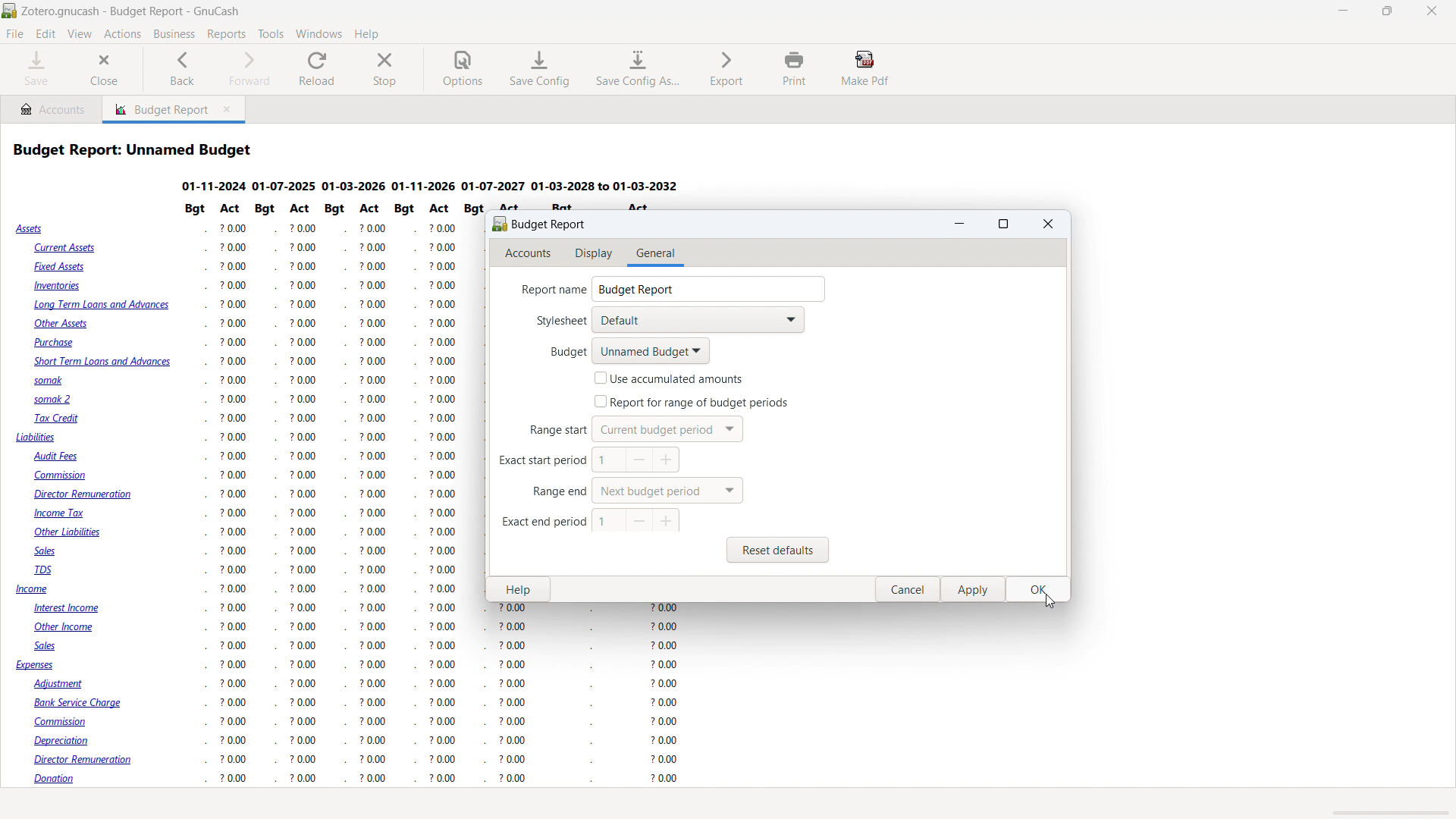 The image size is (1456, 819). Describe the element at coordinates (81, 701) in the screenshot. I see `‘Bank Service Charge` at that location.